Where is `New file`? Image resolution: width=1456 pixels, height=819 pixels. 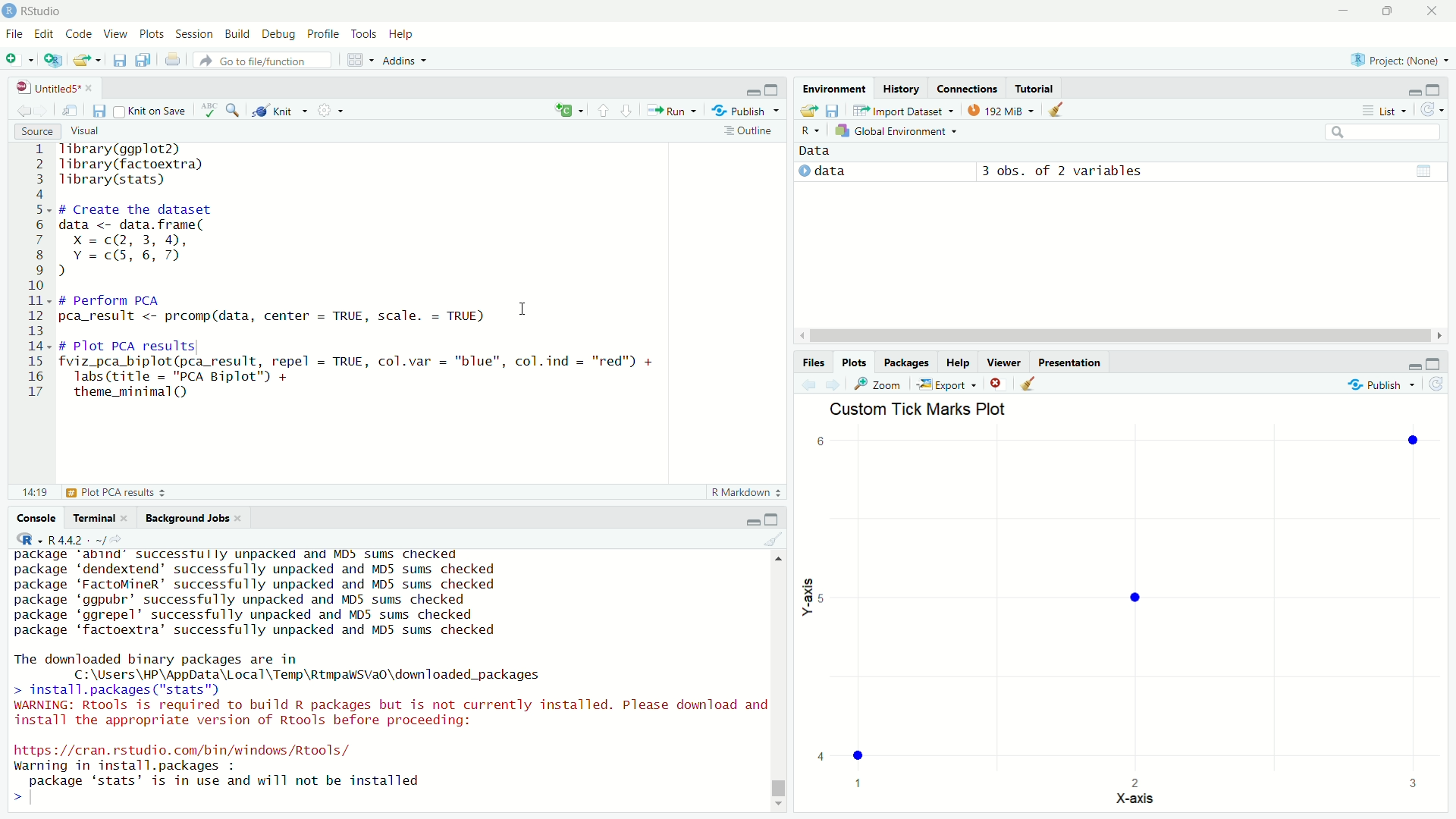
New file is located at coordinates (18, 58).